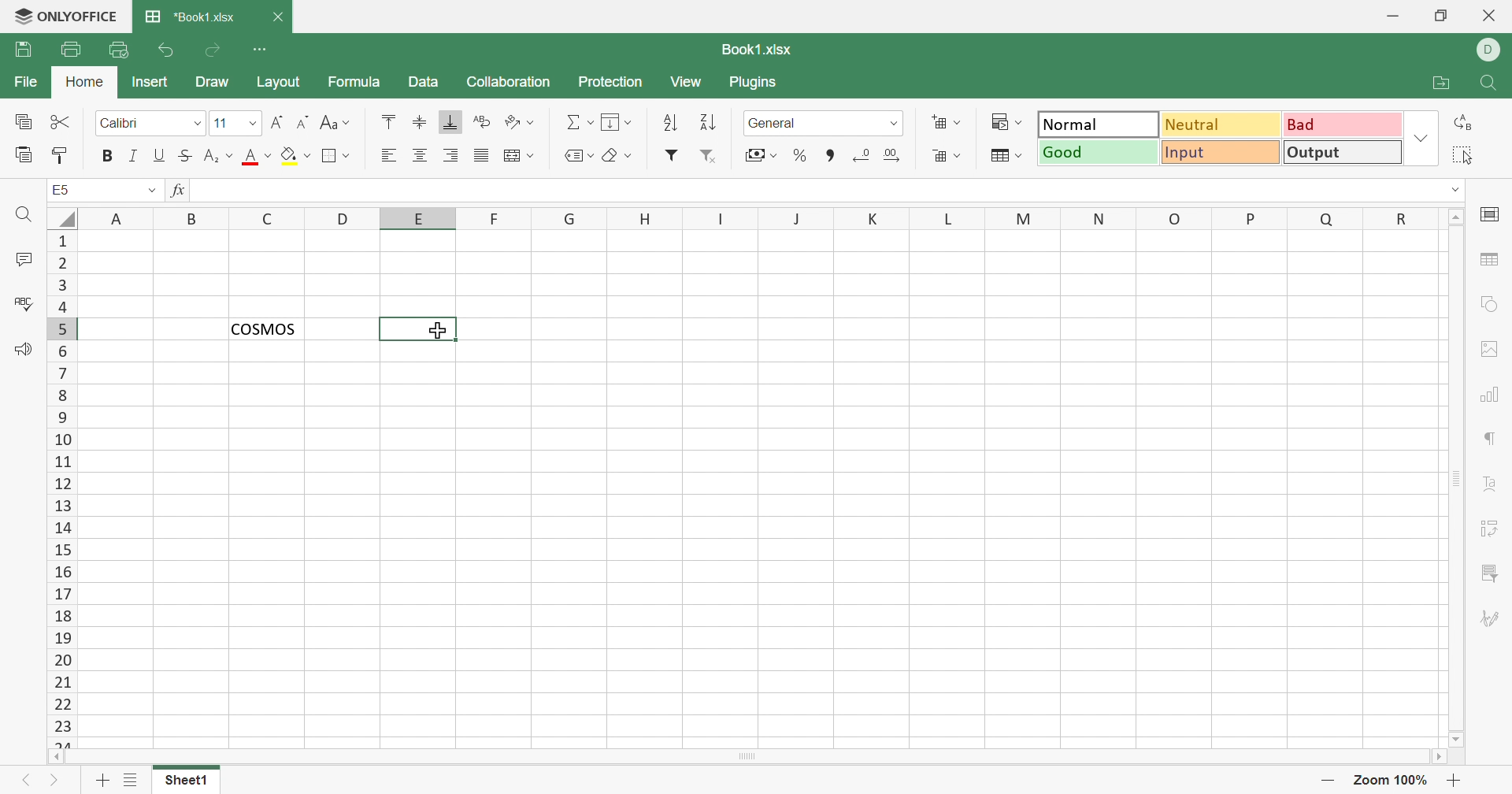 The image size is (1512, 794). Describe the element at coordinates (254, 122) in the screenshot. I see `Drop down` at that location.